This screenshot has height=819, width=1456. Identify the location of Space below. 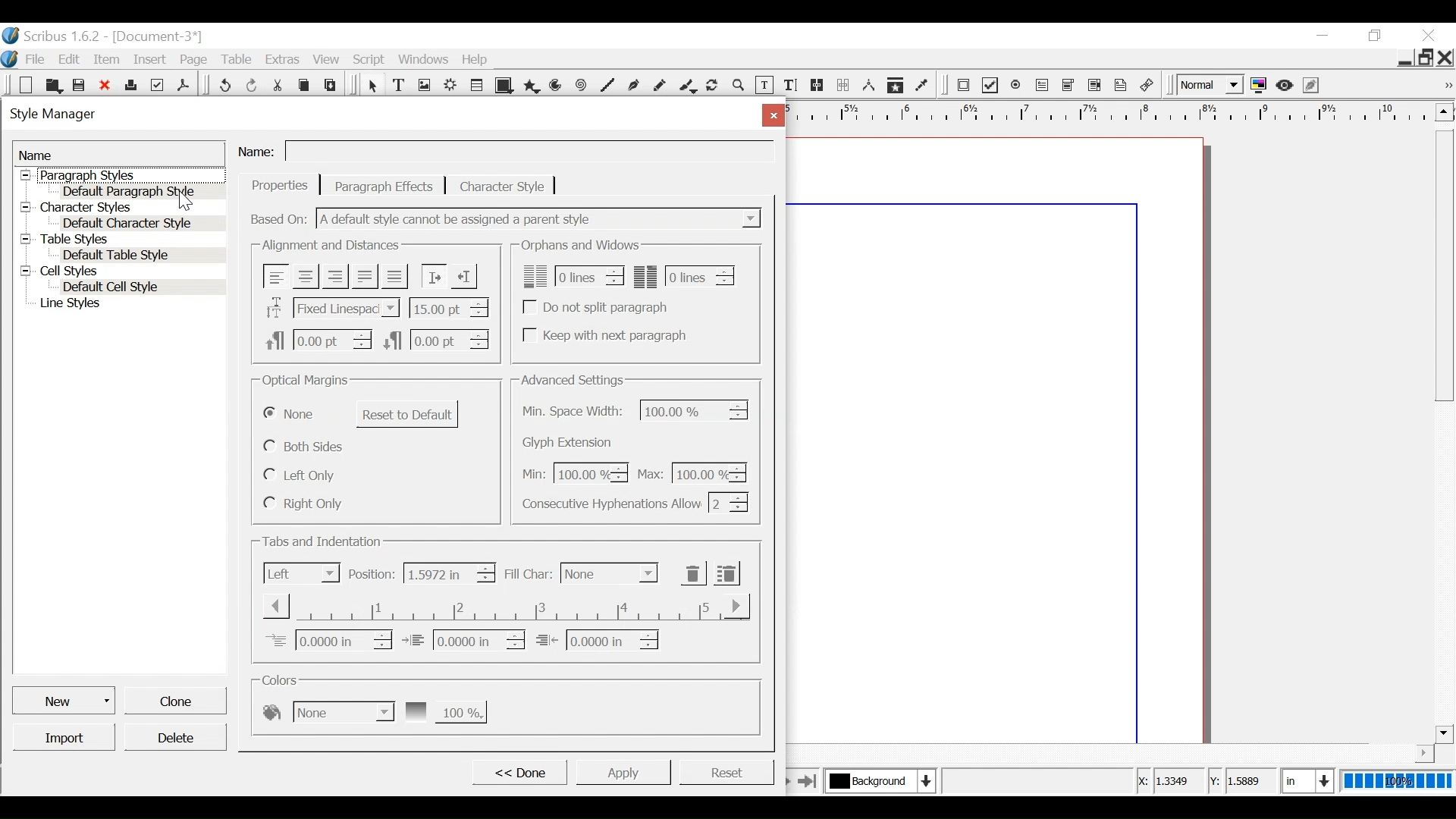
(435, 339).